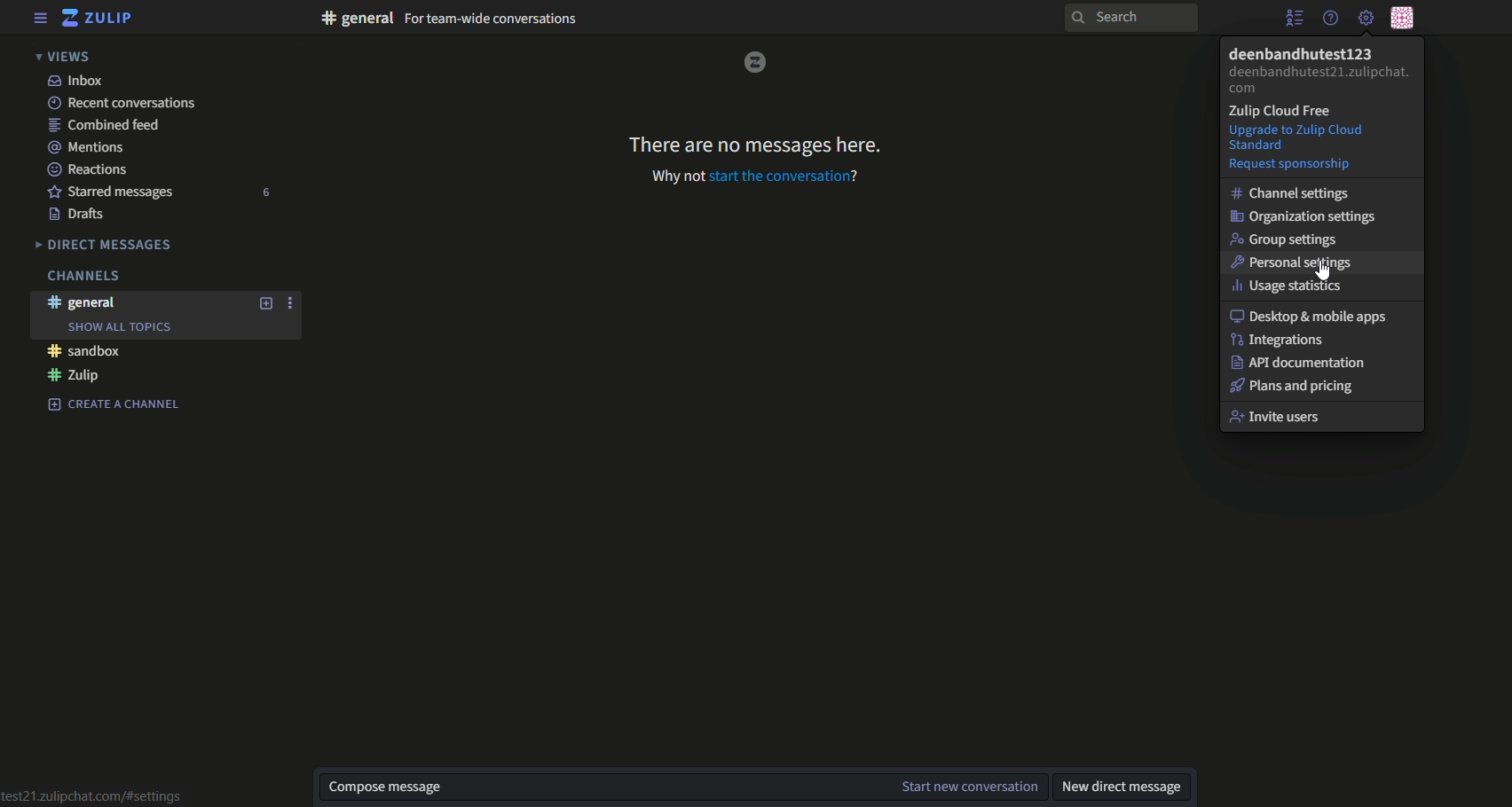 This screenshot has width=1512, height=807. What do you see at coordinates (1324, 419) in the screenshot?
I see `Invite users` at bounding box center [1324, 419].